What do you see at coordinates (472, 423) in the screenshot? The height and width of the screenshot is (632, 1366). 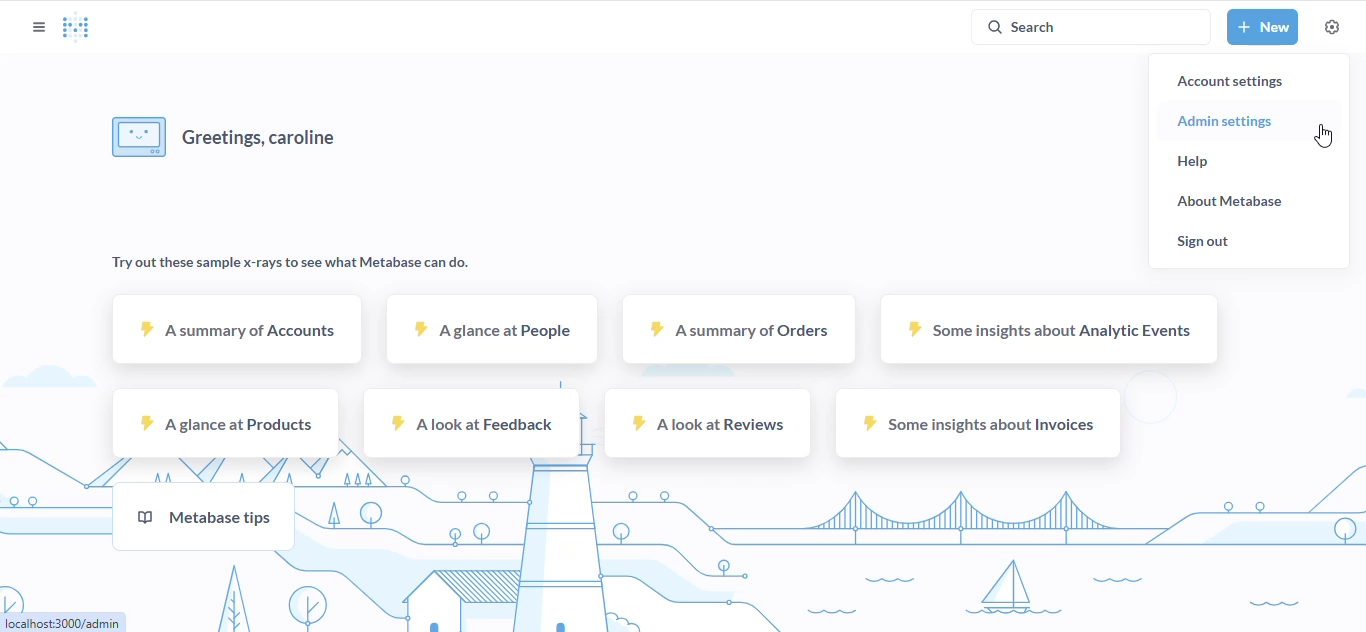 I see `a look at feedback` at bounding box center [472, 423].